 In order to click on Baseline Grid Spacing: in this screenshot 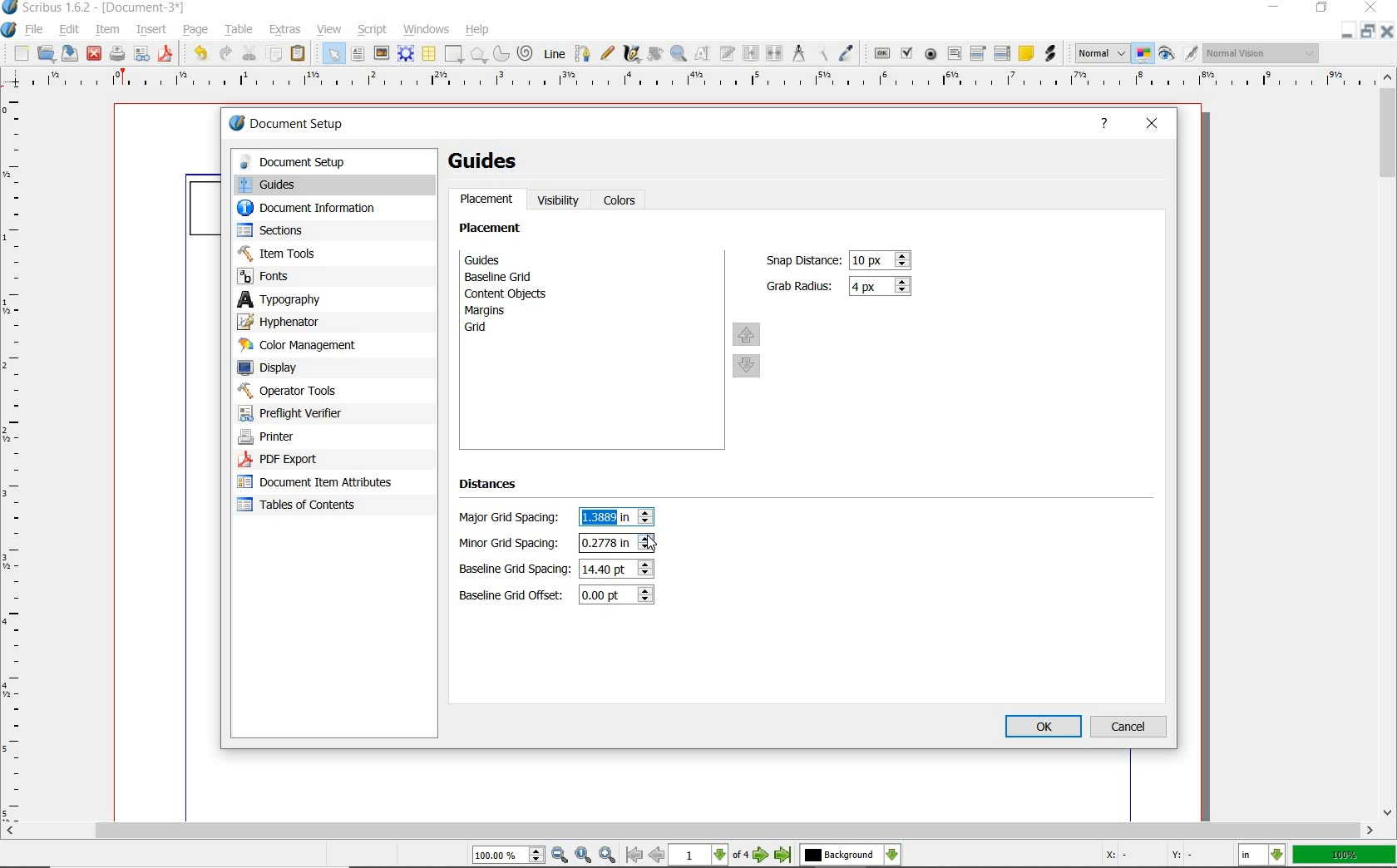, I will do `click(515, 570)`.